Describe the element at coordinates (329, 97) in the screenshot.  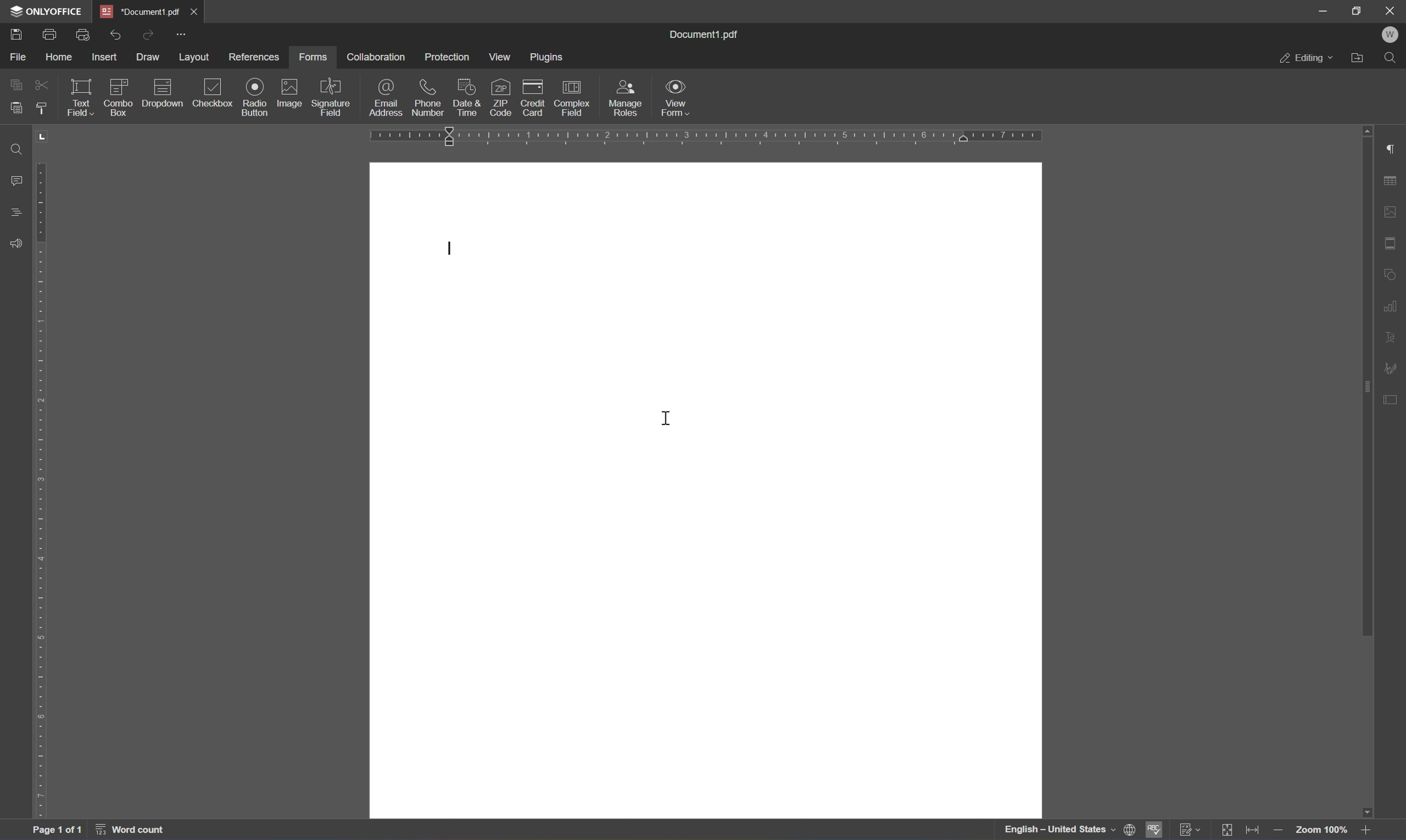
I see `signature field` at that location.